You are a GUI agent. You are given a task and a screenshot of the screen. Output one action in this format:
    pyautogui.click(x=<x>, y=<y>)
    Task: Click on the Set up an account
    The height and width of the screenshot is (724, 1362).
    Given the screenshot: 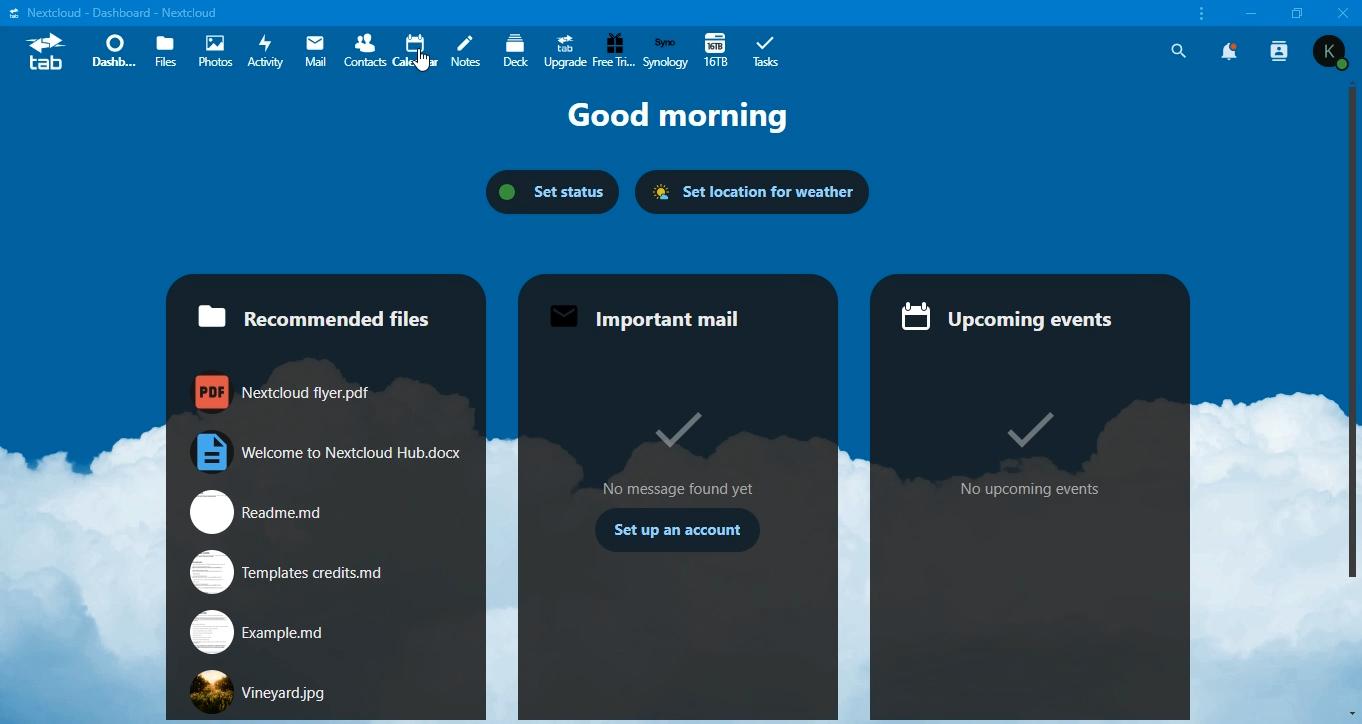 What is the action you would take?
    pyautogui.click(x=679, y=534)
    